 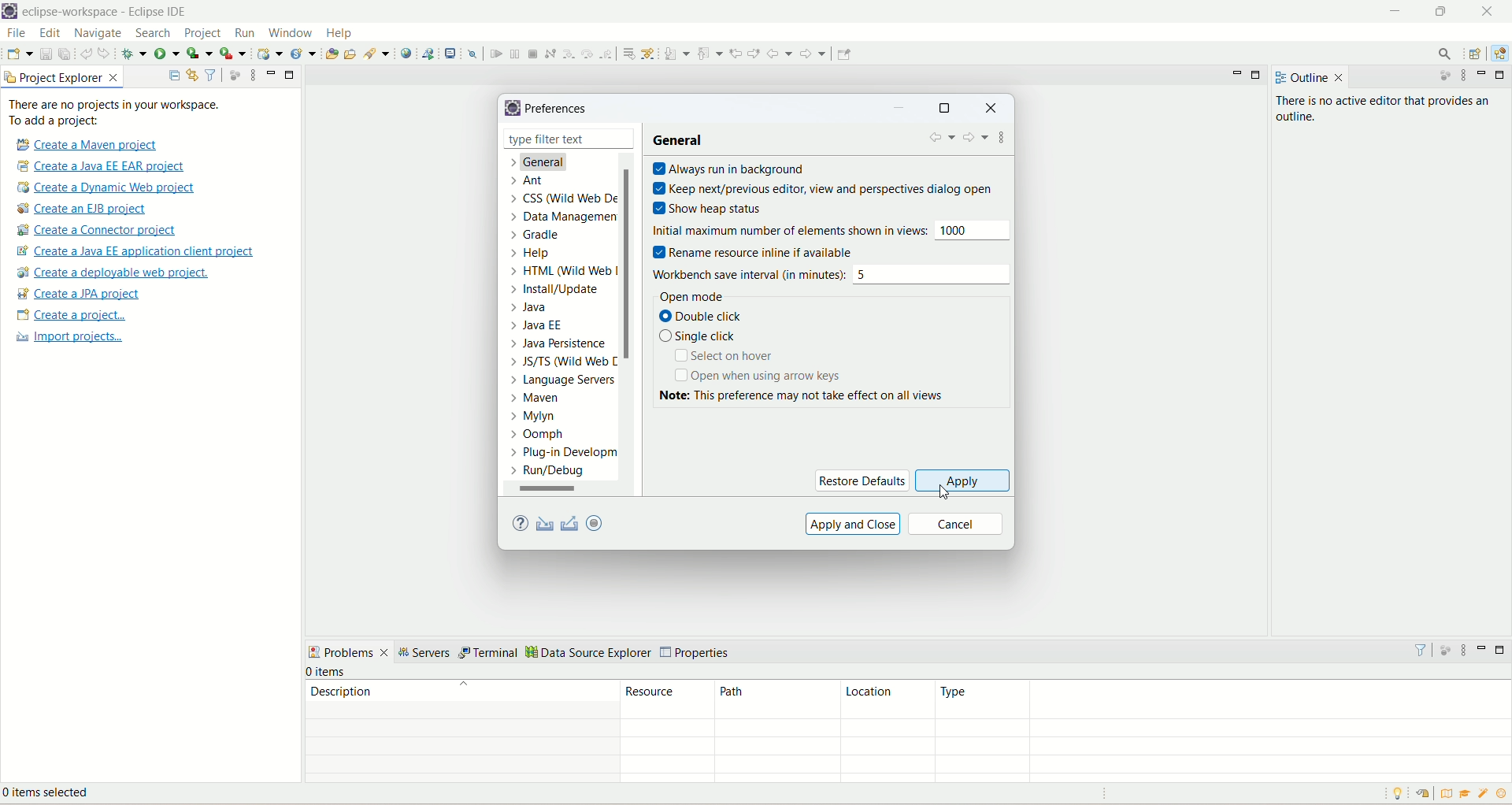 What do you see at coordinates (99, 231) in the screenshot?
I see `create a connector project` at bounding box center [99, 231].